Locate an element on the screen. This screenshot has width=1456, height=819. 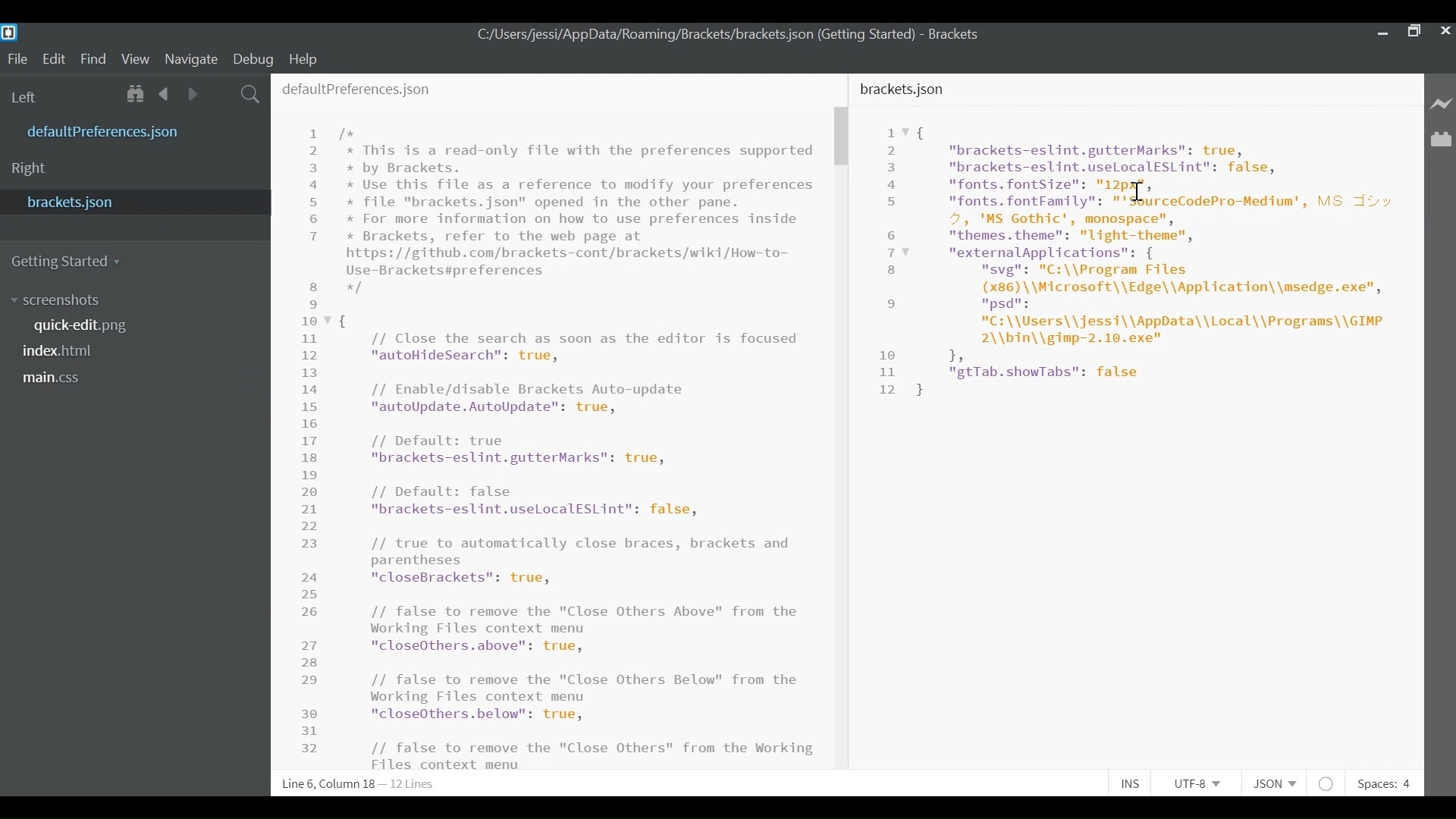
Edit is located at coordinates (57, 58).